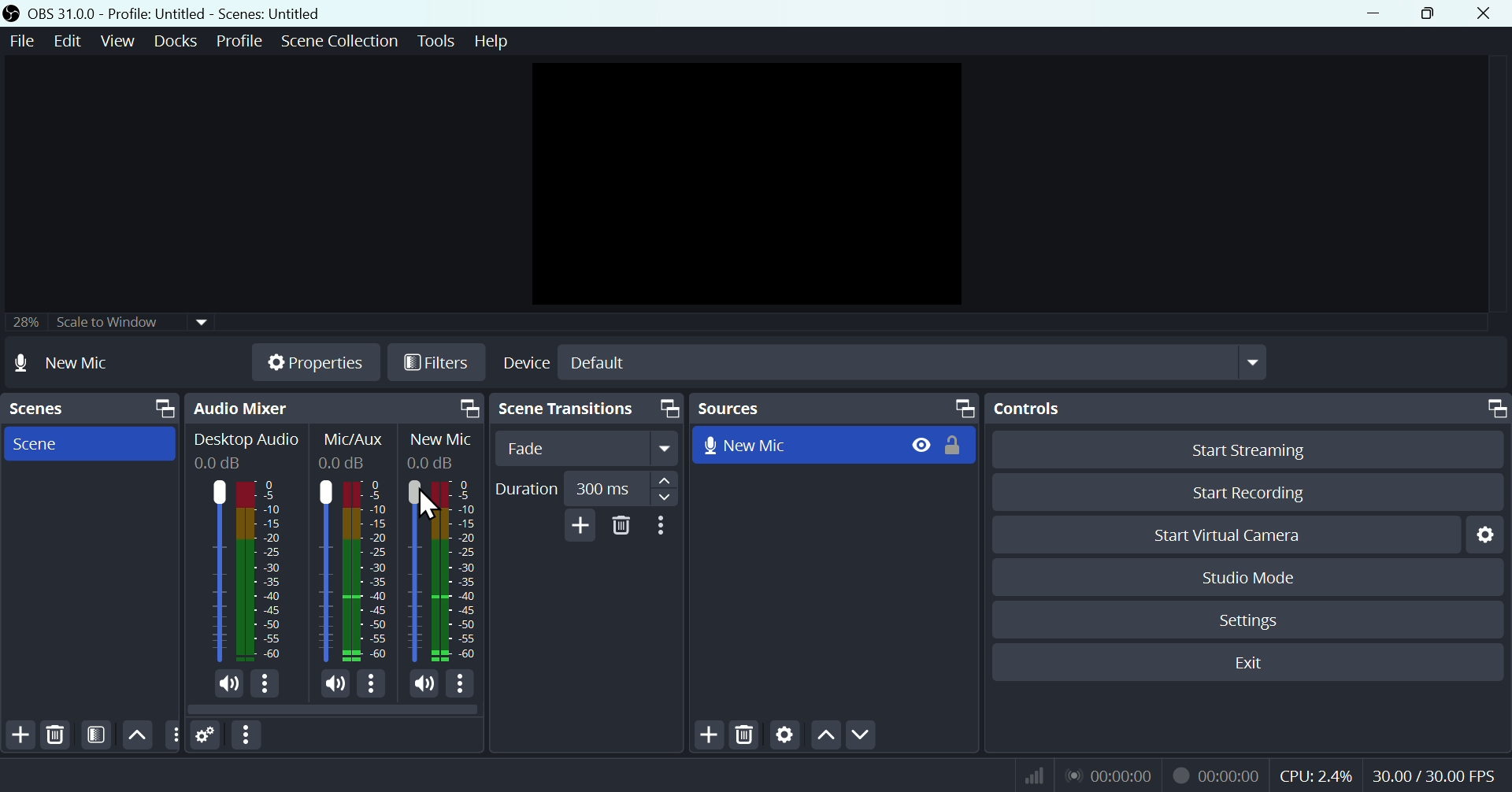 Image resolution: width=1512 pixels, height=792 pixels. I want to click on Sources, so click(834, 408).